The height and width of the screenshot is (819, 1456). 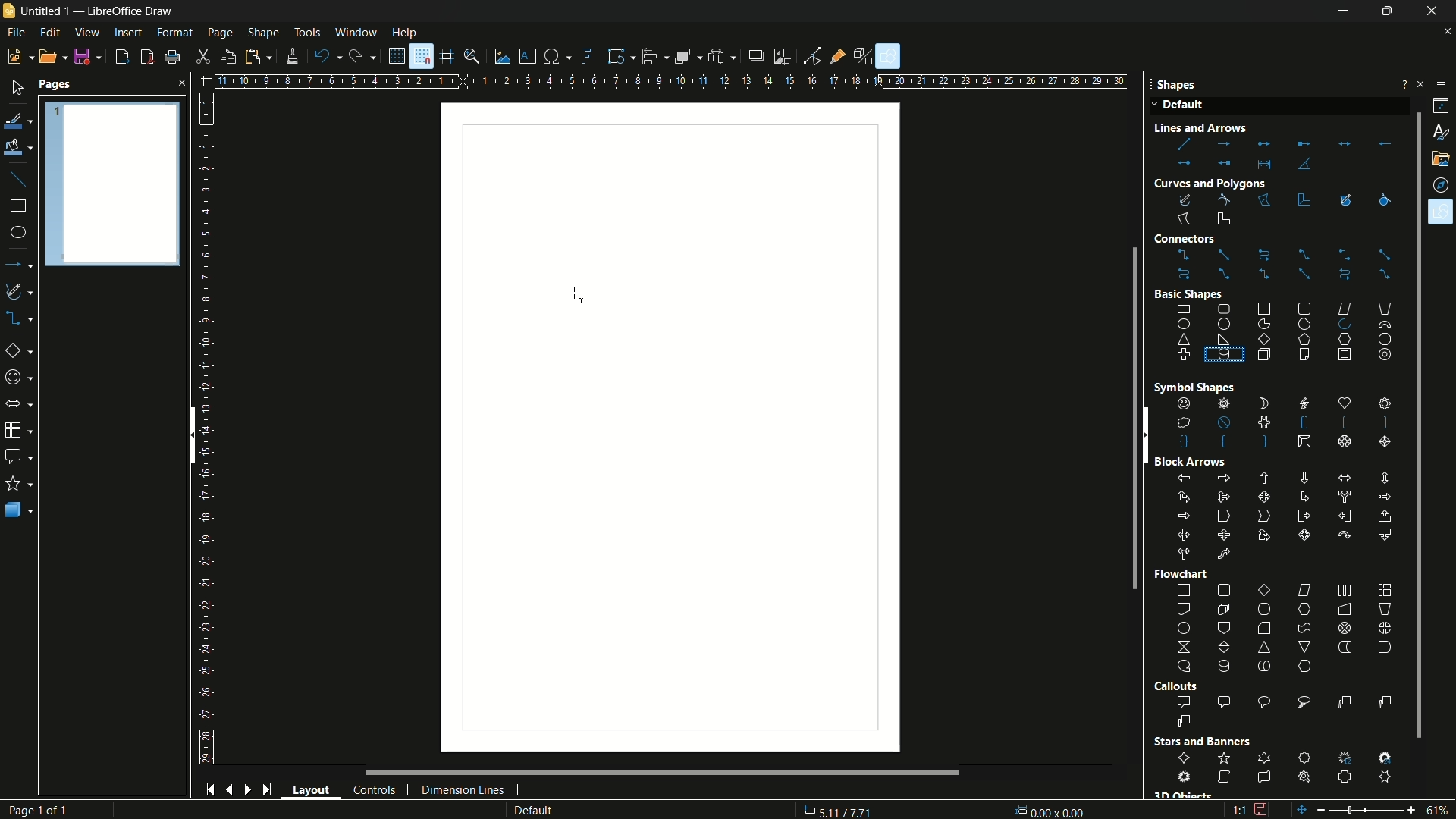 I want to click on shapes, so click(x=1282, y=424).